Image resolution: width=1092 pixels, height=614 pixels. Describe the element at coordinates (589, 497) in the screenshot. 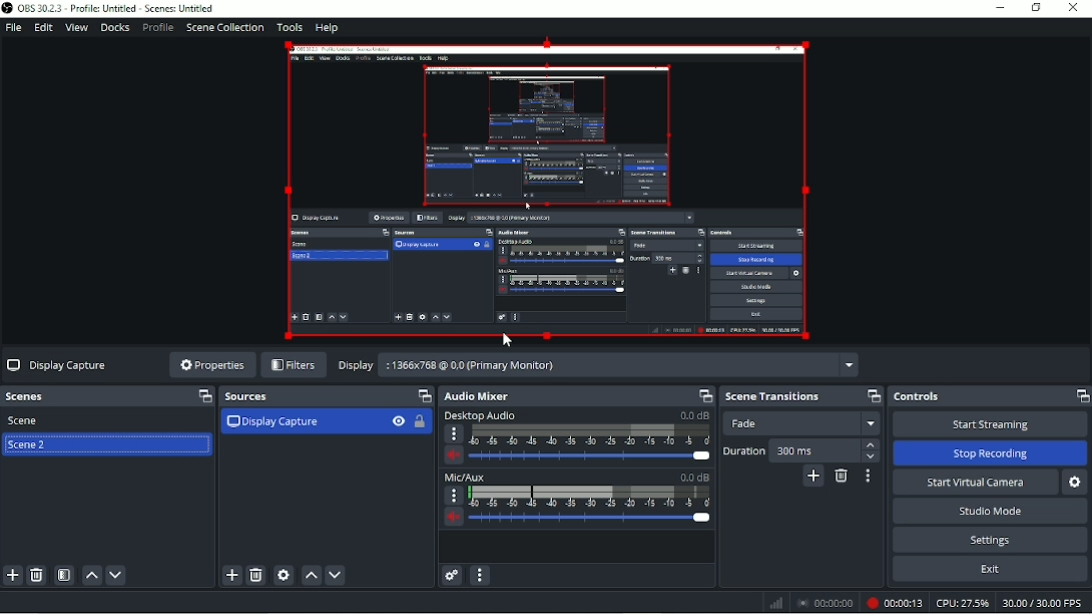

I see `Scale` at that location.